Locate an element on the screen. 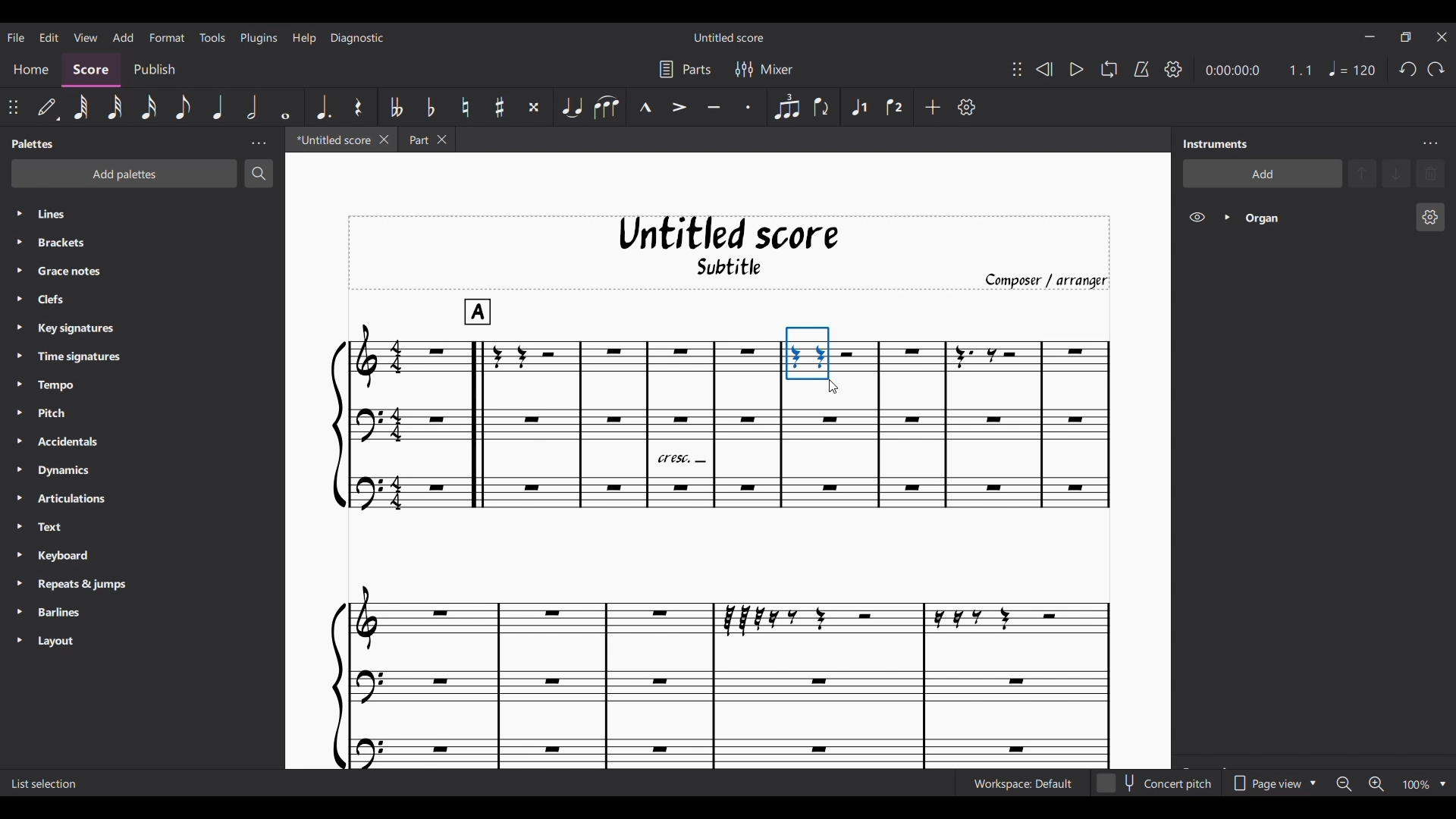 The width and height of the screenshot is (1456, 819). Close interface is located at coordinates (1442, 36).